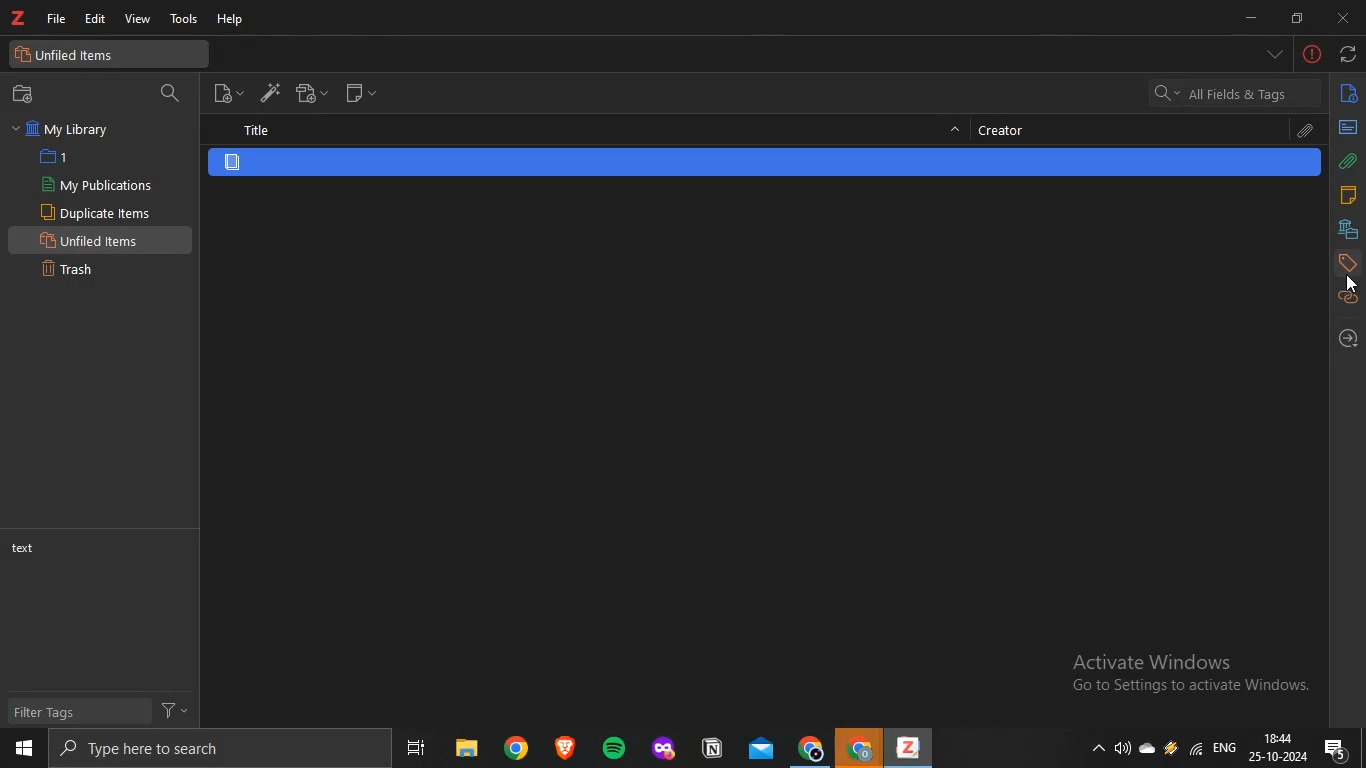 The image size is (1366, 768). Describe the element at coordinates (1273, 55) in the screenshot. I see `list all tabs` at that location.